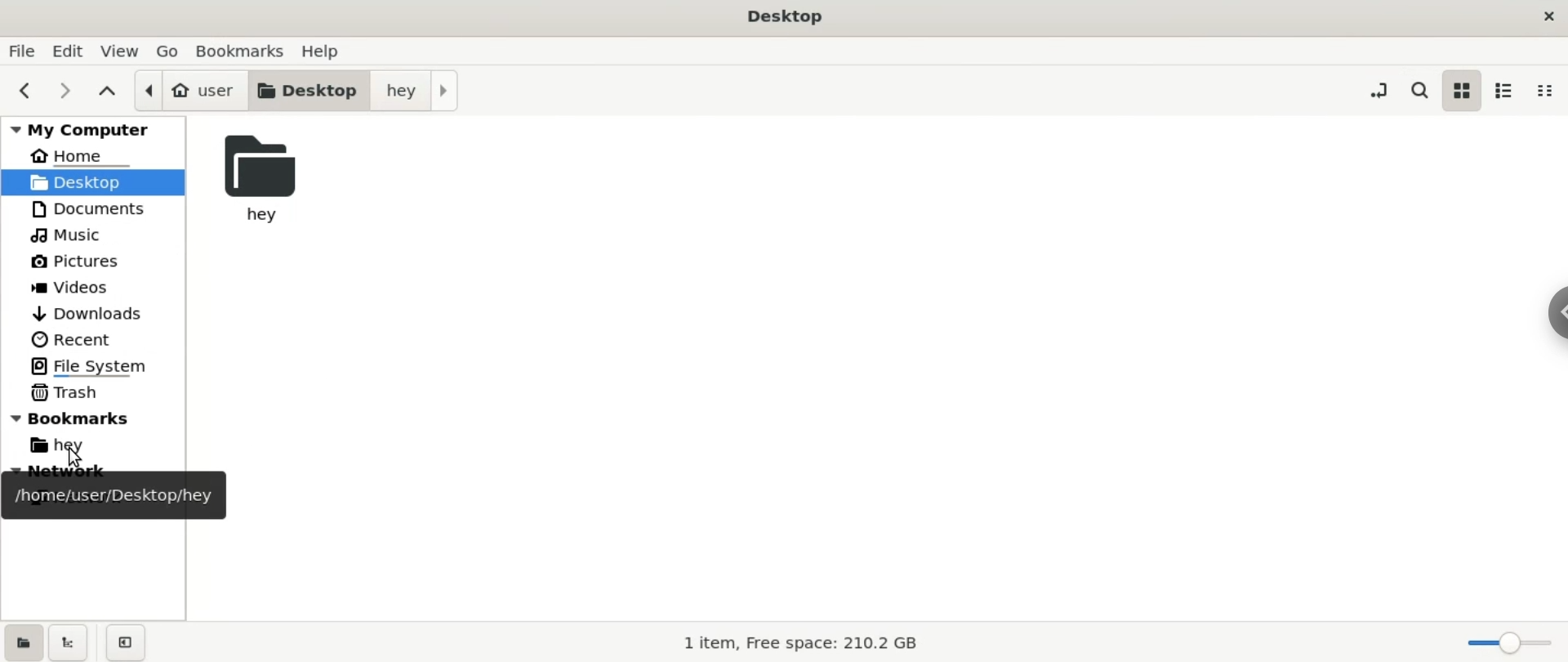 Image resolution: width=1568 pixels, height=662 pixels. What do you see at coordinates (1378, 92) in the screenshot?
I see `toggle location entry` at bounding box center [1378, 92].